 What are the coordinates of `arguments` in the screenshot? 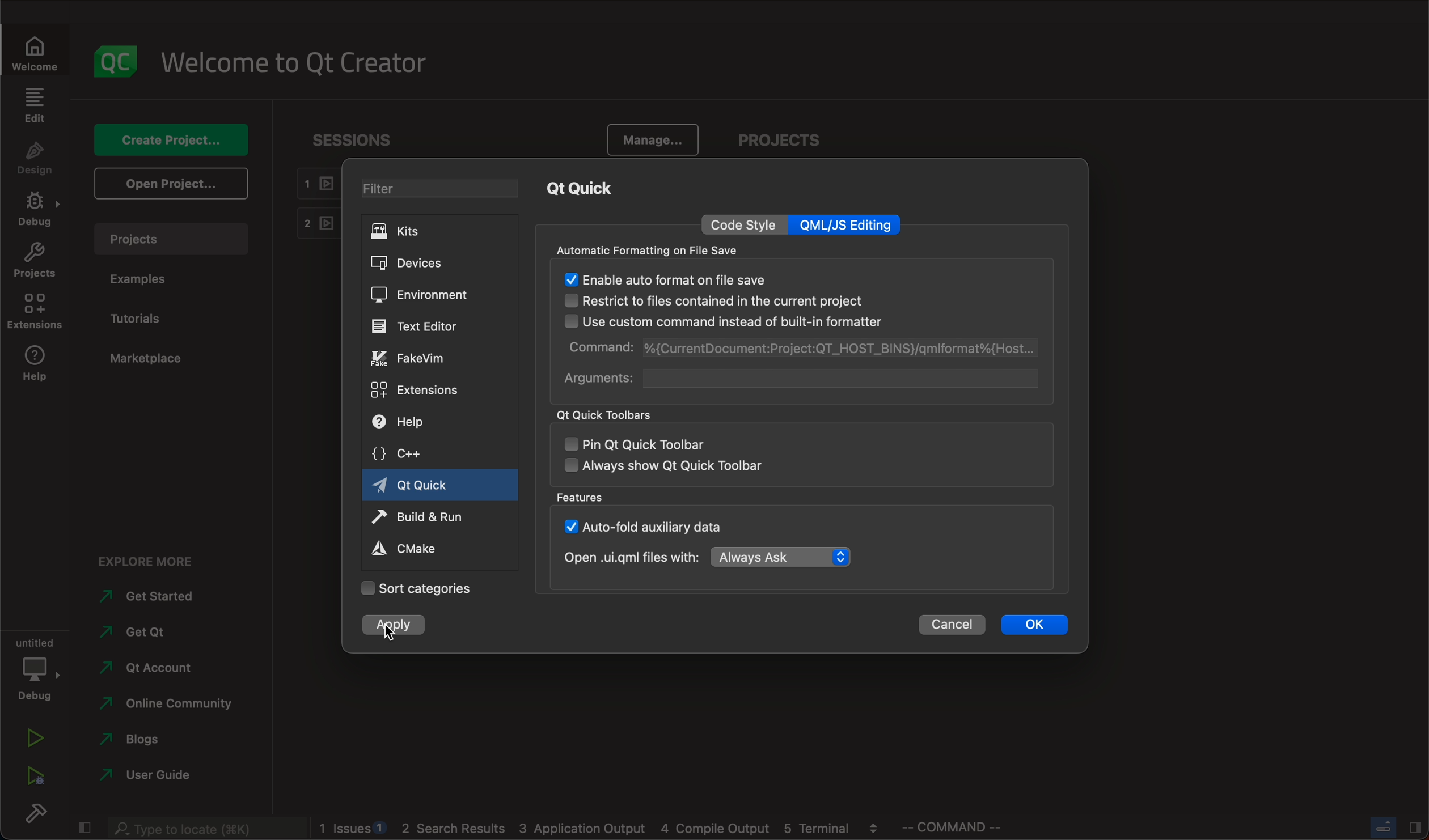 It's located at (803, 377).